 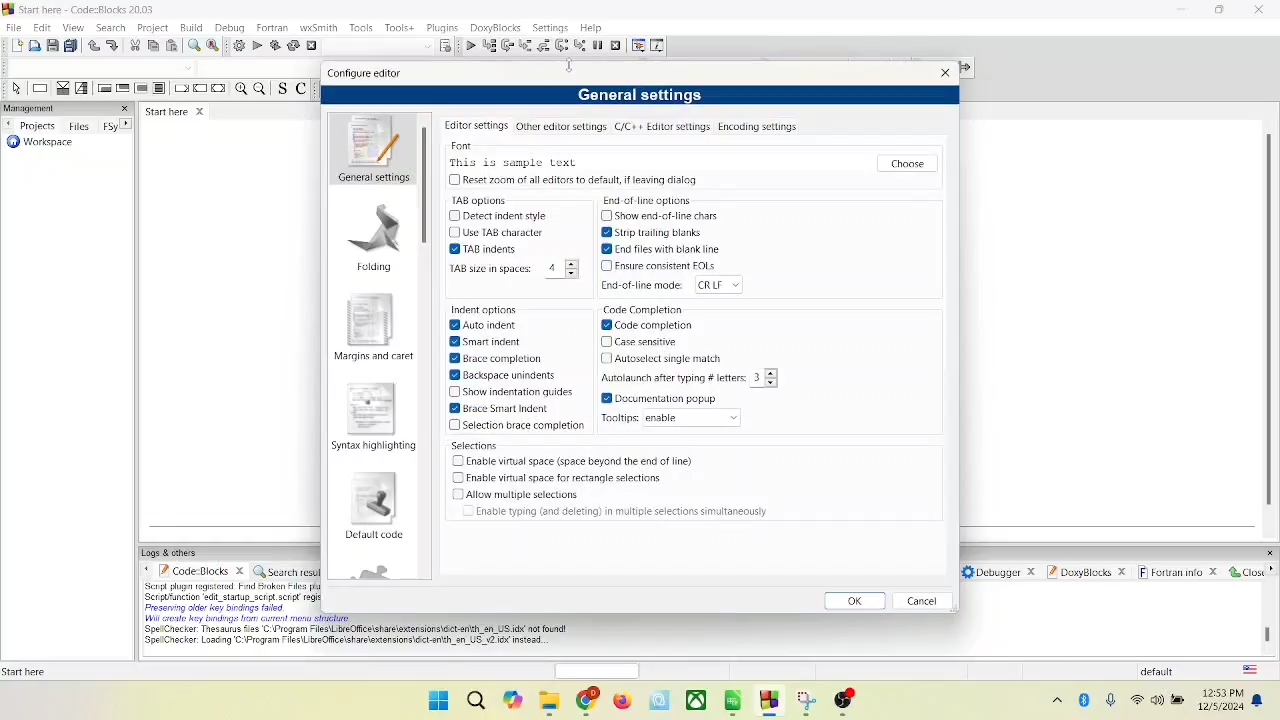 What do you see at coordinates (370, 149) in the screenshot?
I see `general settings` at bounding box center [370, 149].